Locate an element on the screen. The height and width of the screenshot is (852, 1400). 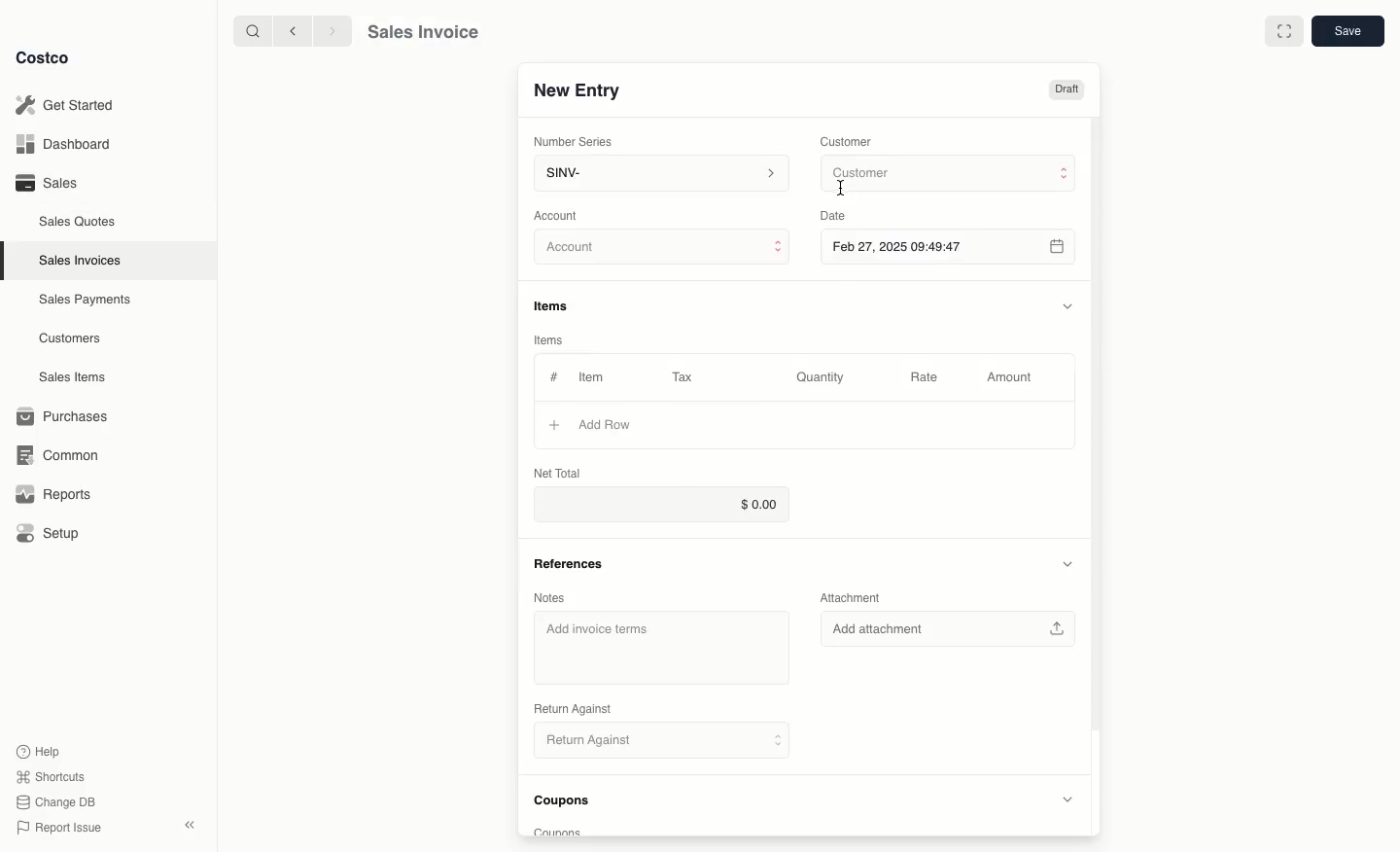
‘Sales Payments is located at coordinates (85, 298).